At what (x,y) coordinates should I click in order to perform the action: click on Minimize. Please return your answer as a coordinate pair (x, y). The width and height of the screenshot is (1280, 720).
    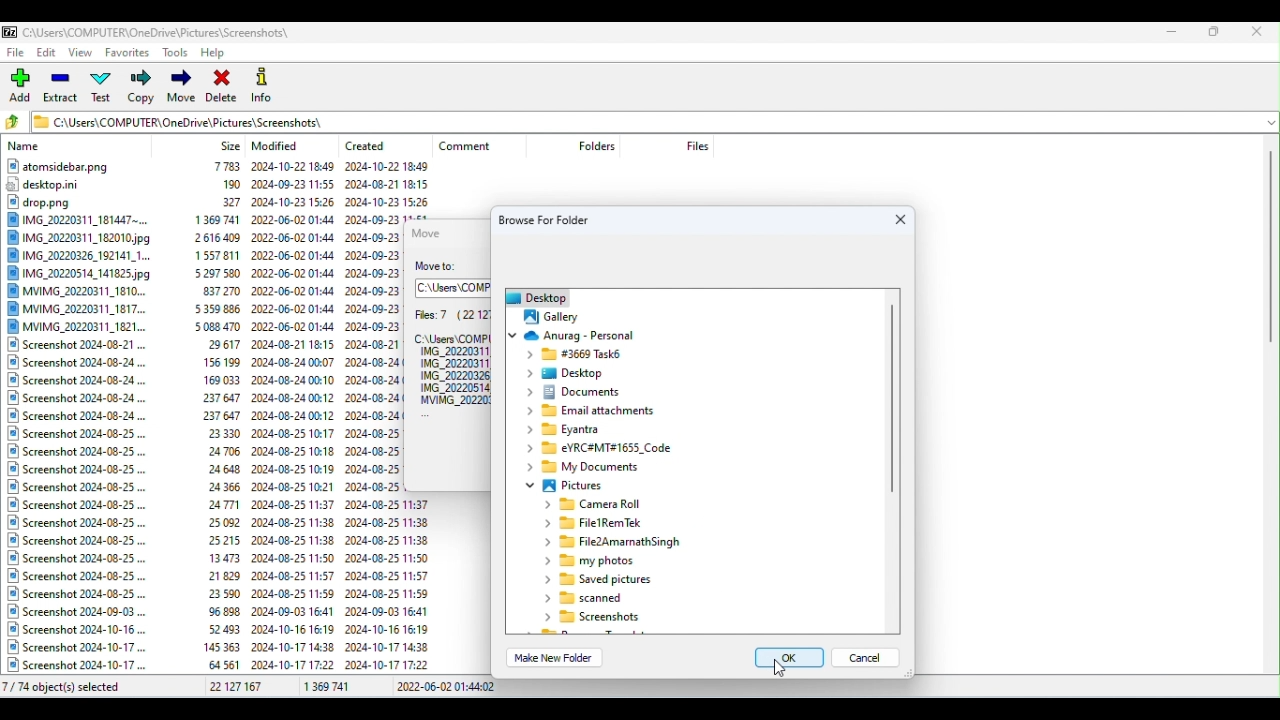
    Looking at the image, I should click on (1174, 30).